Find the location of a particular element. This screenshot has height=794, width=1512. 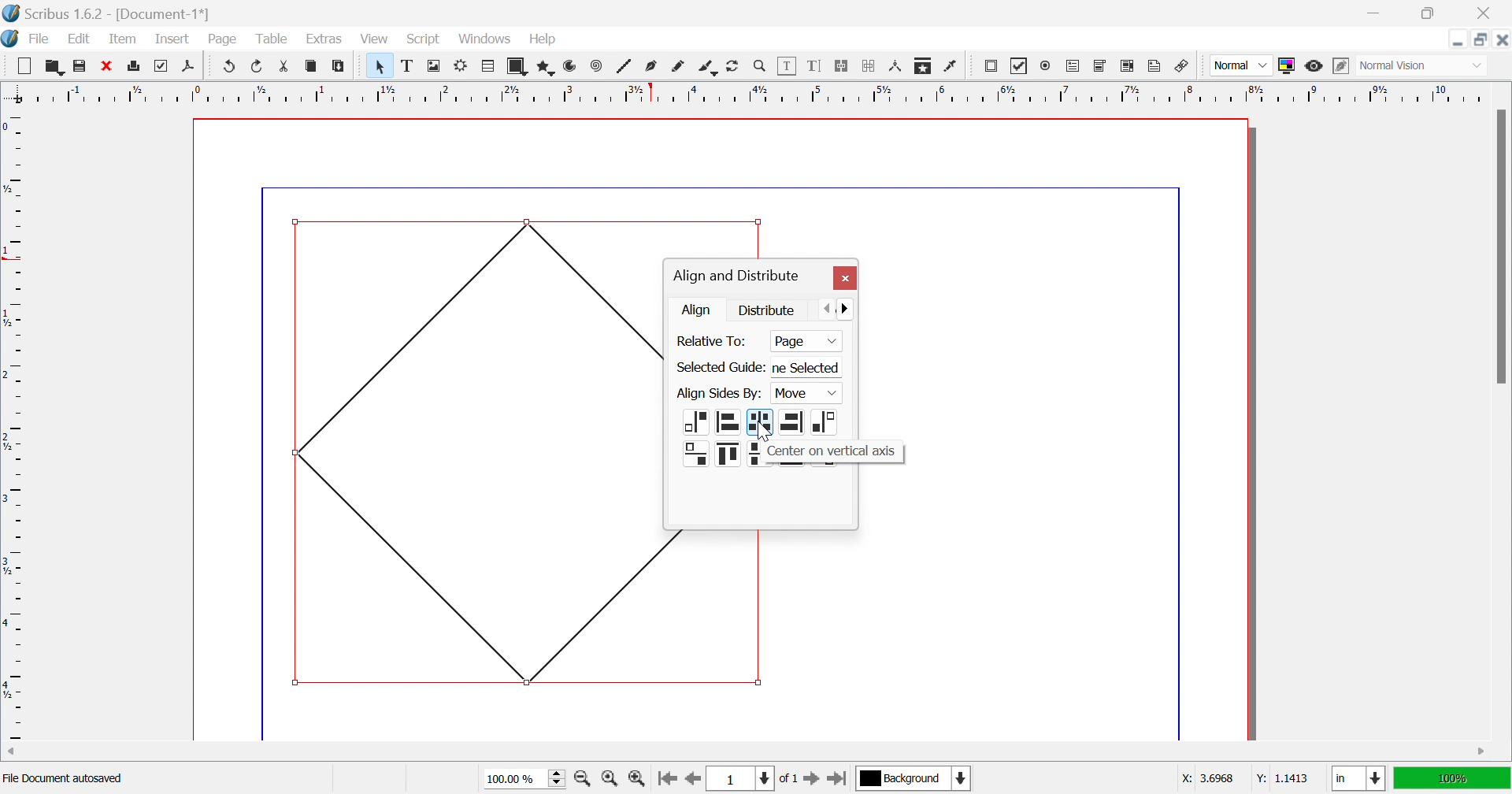

Page is located at coordinates (221, 39).